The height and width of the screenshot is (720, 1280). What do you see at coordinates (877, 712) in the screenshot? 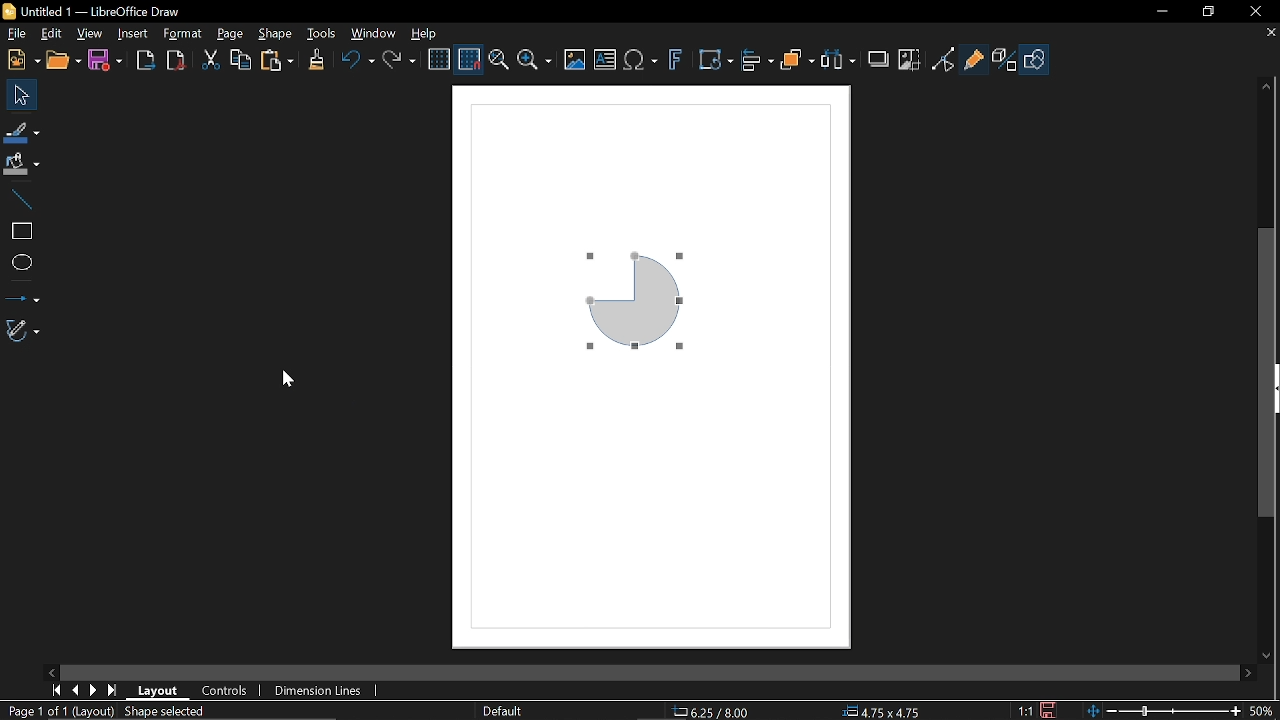
I see `4.75x4.75 (Object Size)` at bounding box center [877, 712].